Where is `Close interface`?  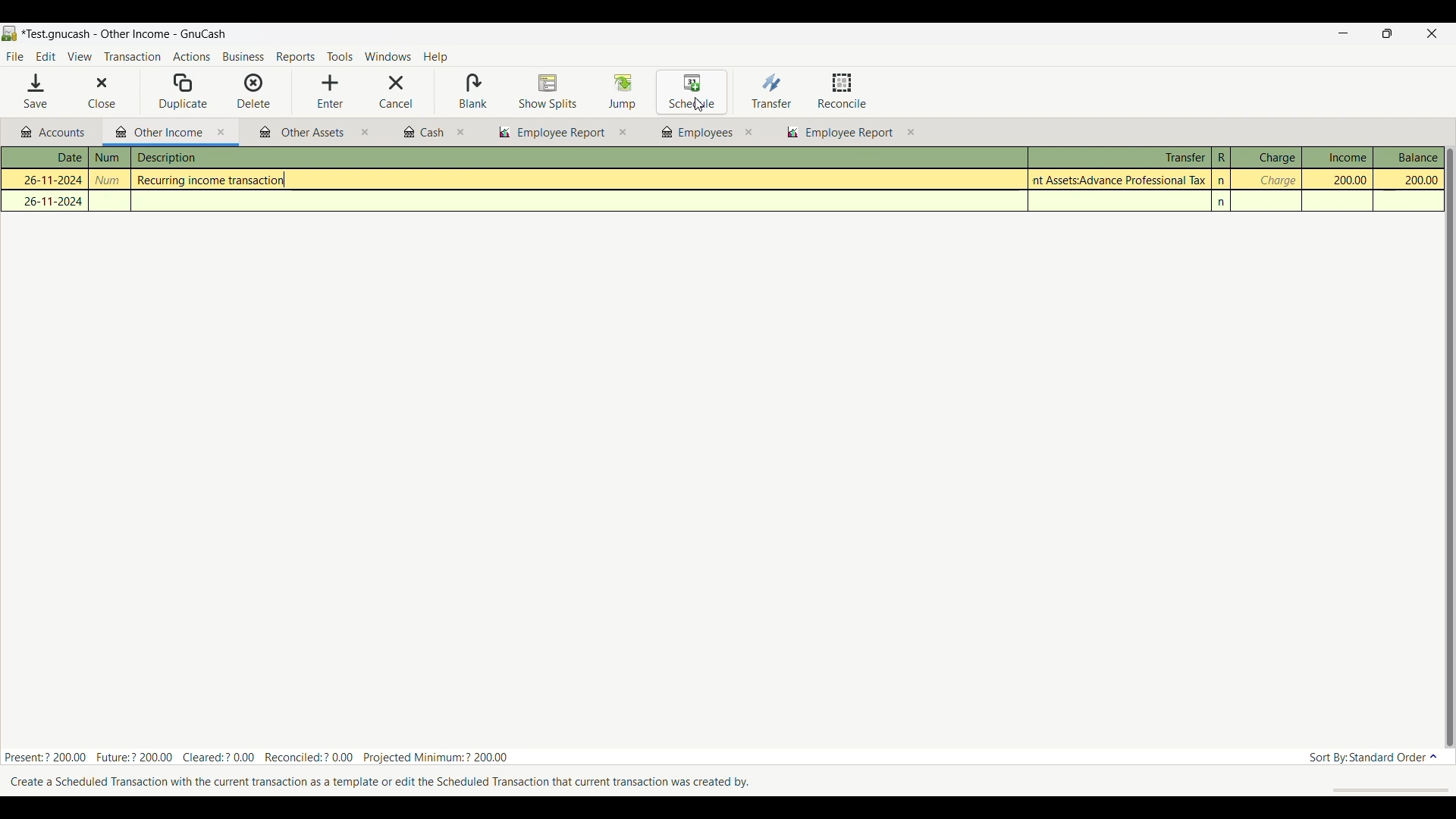
Close interface is located at coordinates (1429, 35).